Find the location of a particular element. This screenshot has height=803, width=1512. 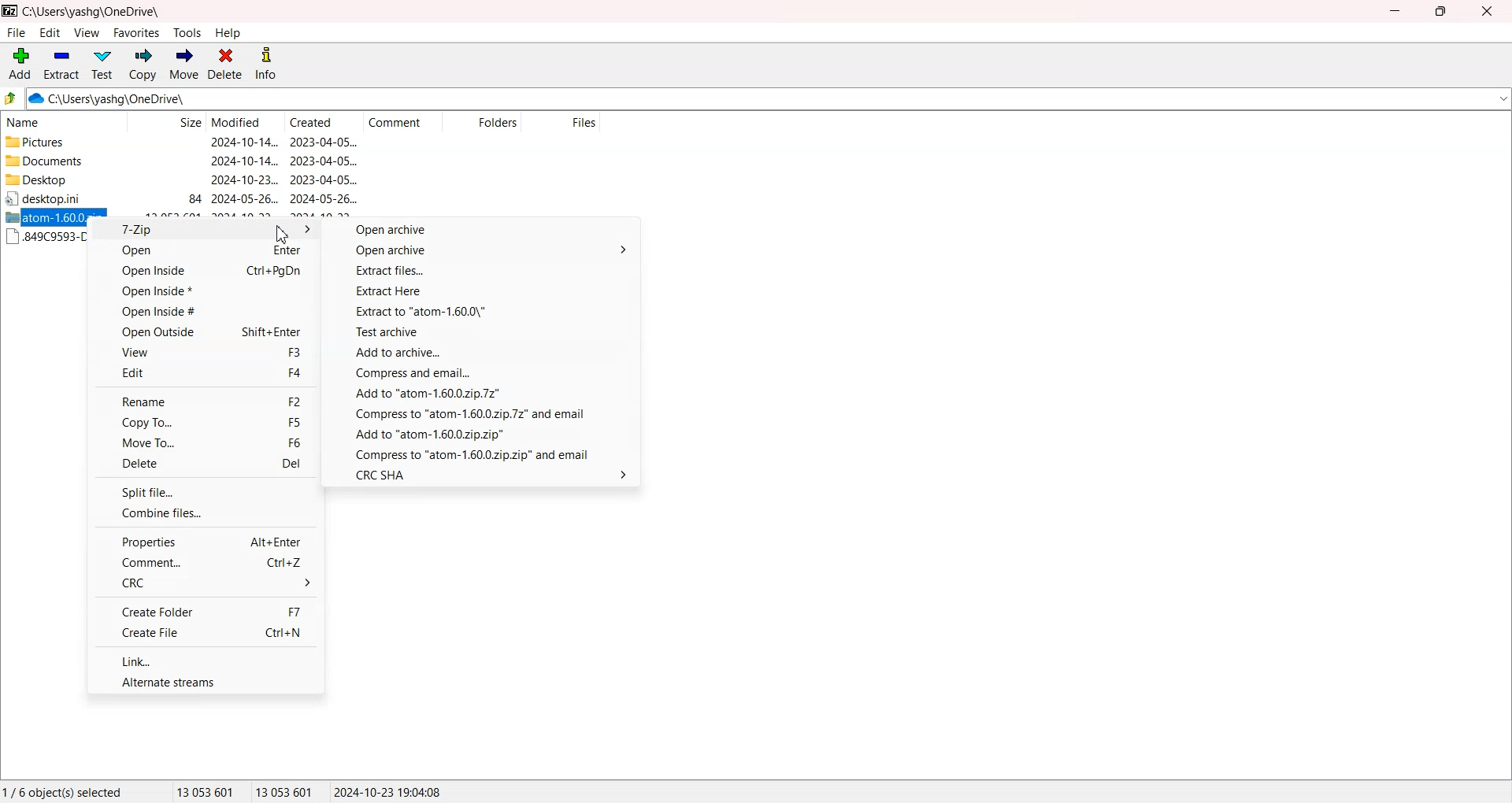

Split file is located at coordinates (206, 491).